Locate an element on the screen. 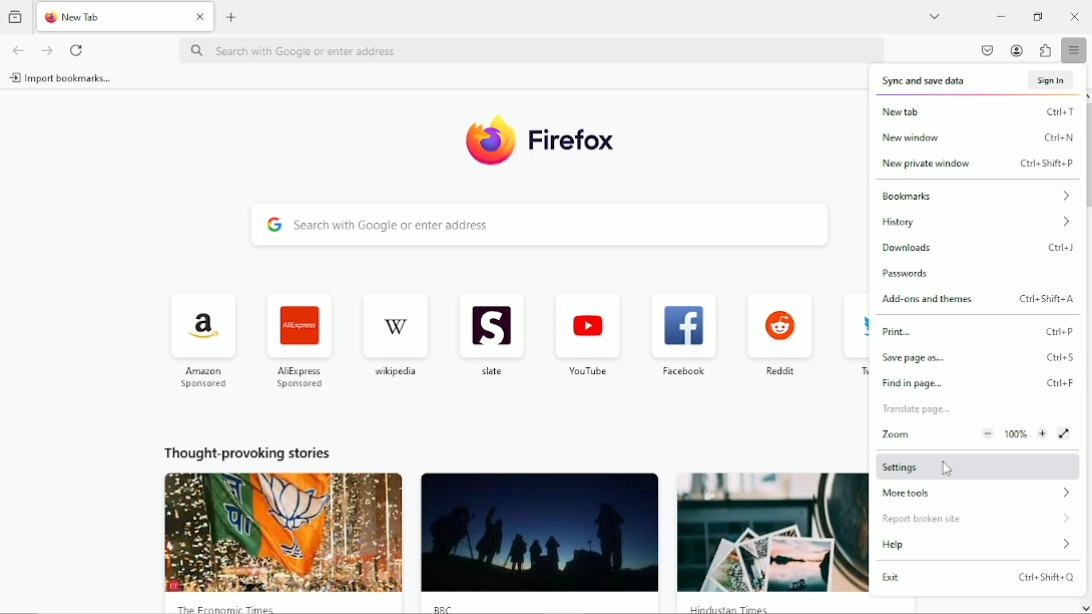  exit is located at coordinates (907, 578).